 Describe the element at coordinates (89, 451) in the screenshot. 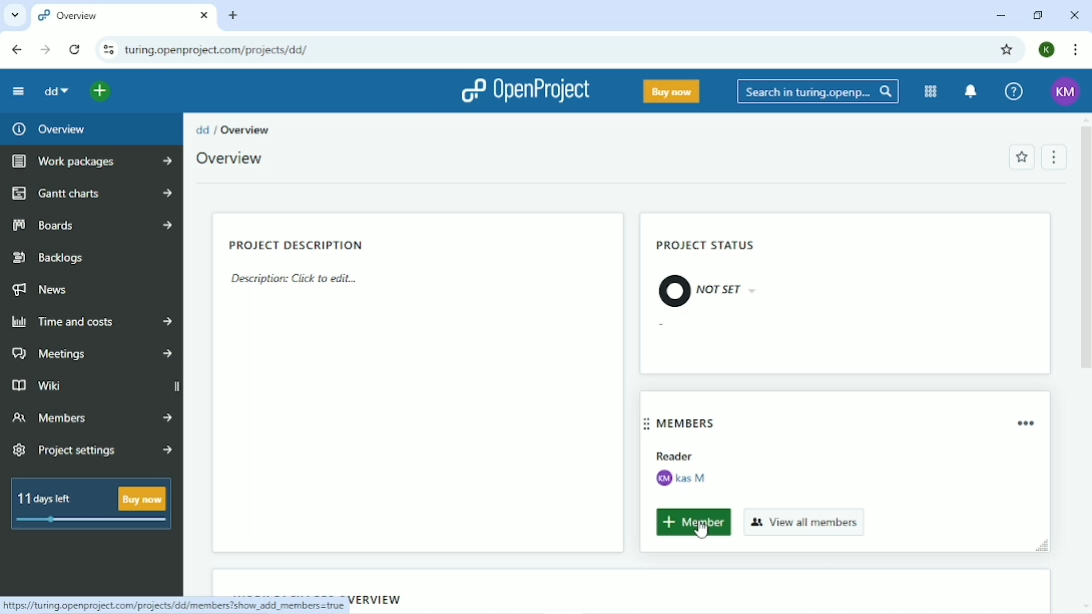

I see `Project settings` at that location.